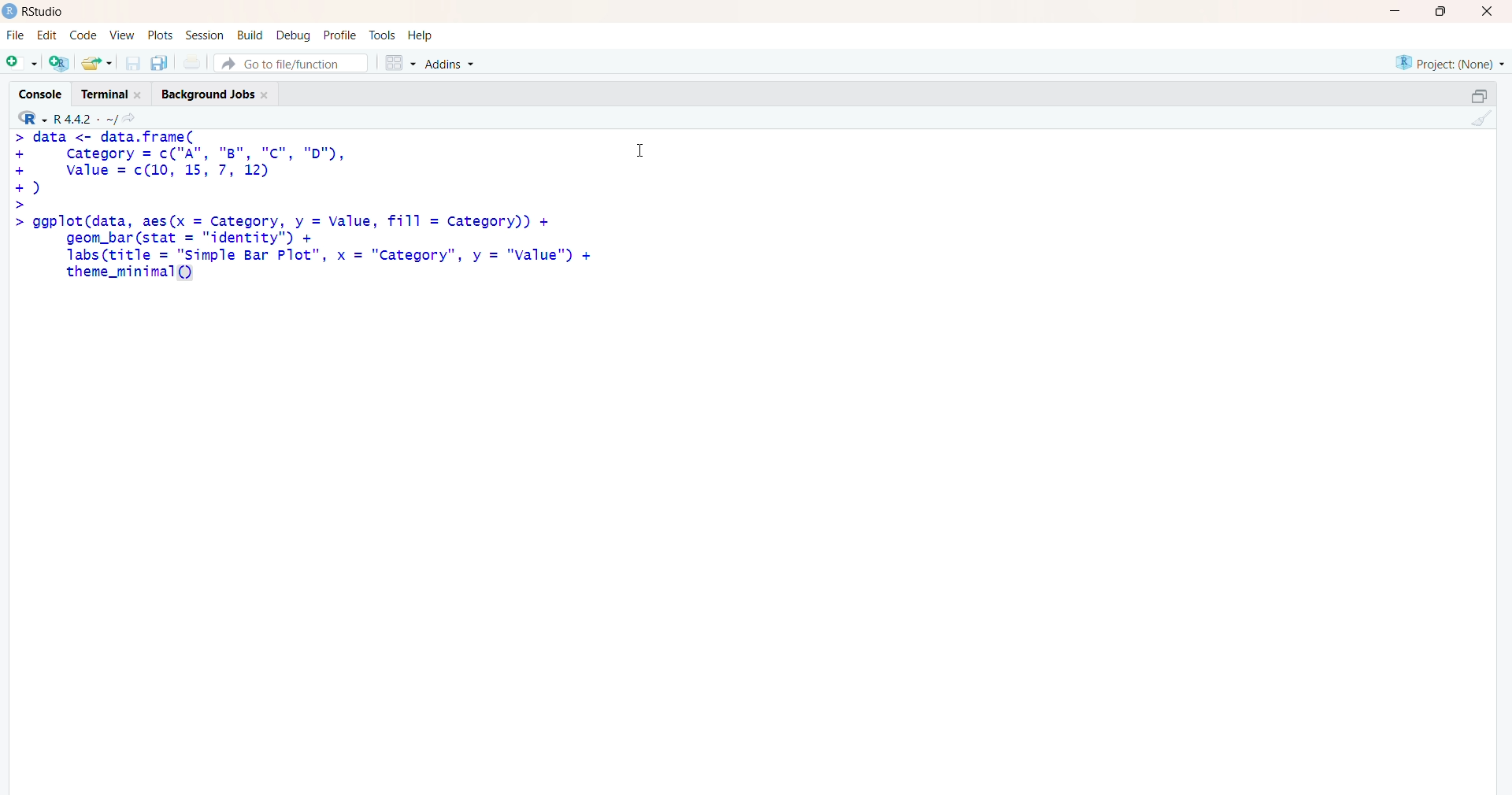 The width and height of the screenshot is (1512, 795). What do you see at coordinates (123, 35) in the screenshot?
I see `View` at bounding box center [123, 35].